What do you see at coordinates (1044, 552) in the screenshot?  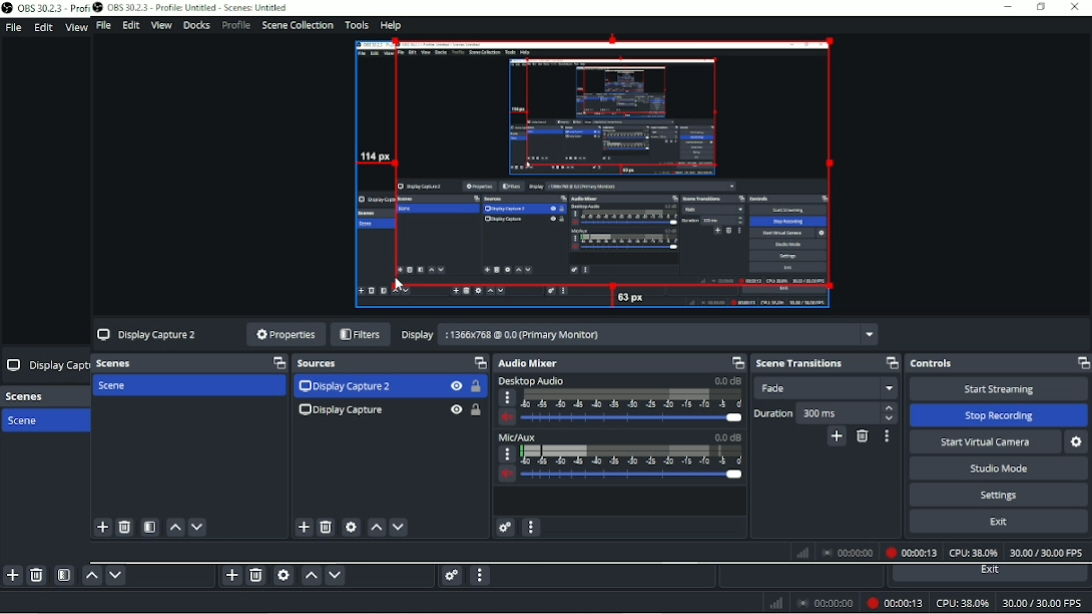 I see `30.00/30.00 FPS` at bounding box center [1044, 552].